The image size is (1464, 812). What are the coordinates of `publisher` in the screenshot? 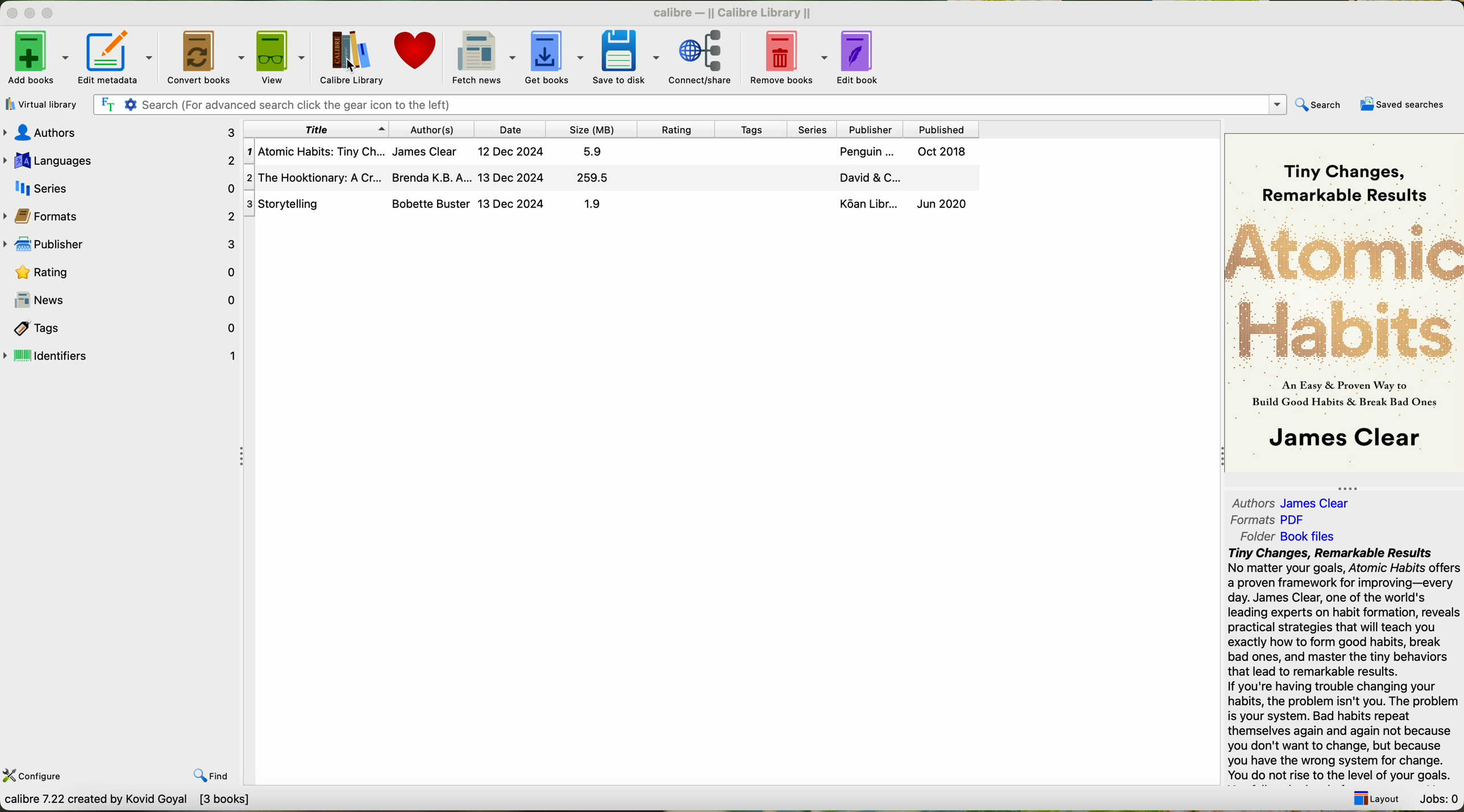 It's located at (122, 245).